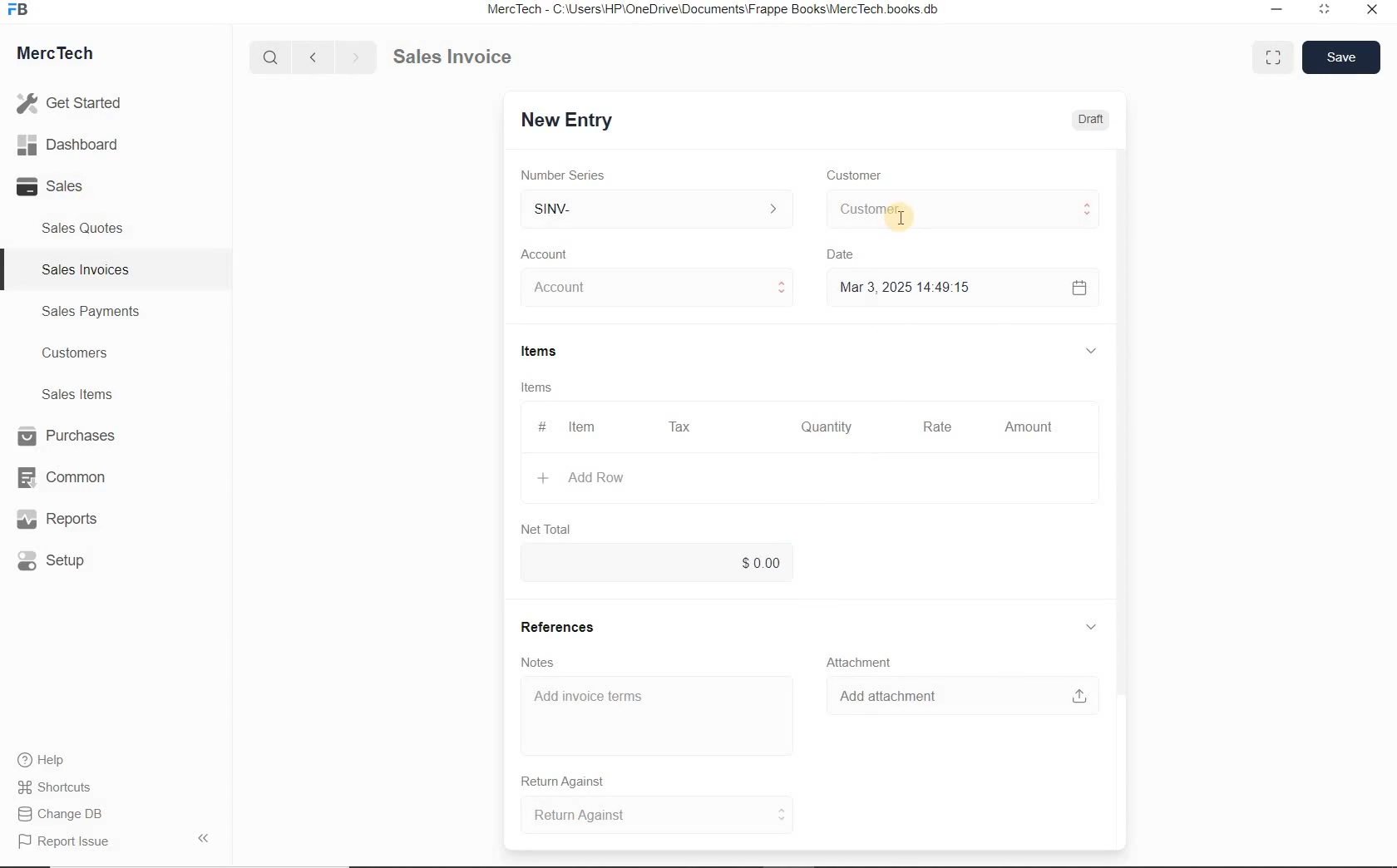  Describe the element at coordinates (865, 175) in the screenshot. I see `Customer` at that location.